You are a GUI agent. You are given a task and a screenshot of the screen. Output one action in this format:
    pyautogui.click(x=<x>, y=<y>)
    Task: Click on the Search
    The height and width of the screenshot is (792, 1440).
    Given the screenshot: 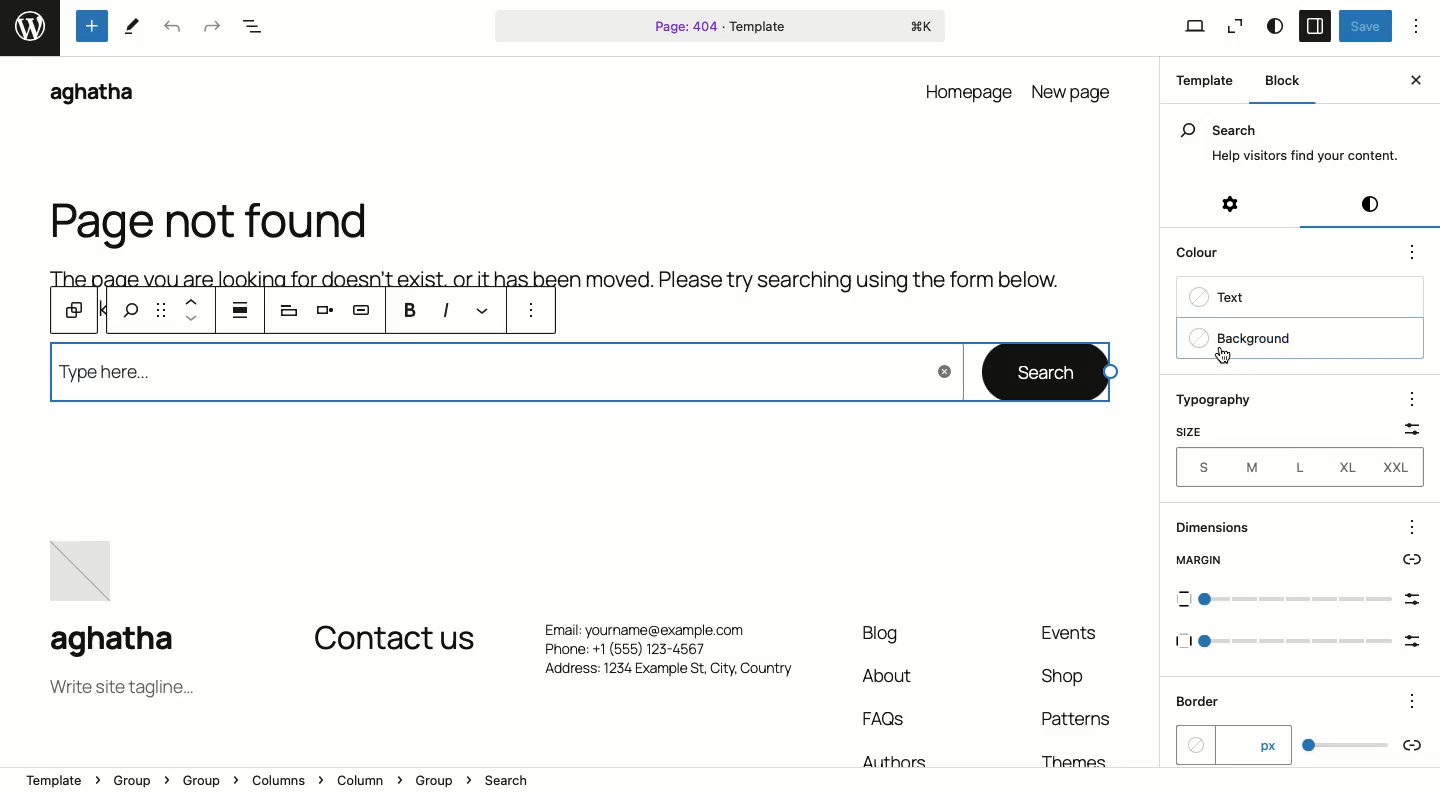 What is the action you would take?
    pyautogui.click(x=1044, y=371)
    